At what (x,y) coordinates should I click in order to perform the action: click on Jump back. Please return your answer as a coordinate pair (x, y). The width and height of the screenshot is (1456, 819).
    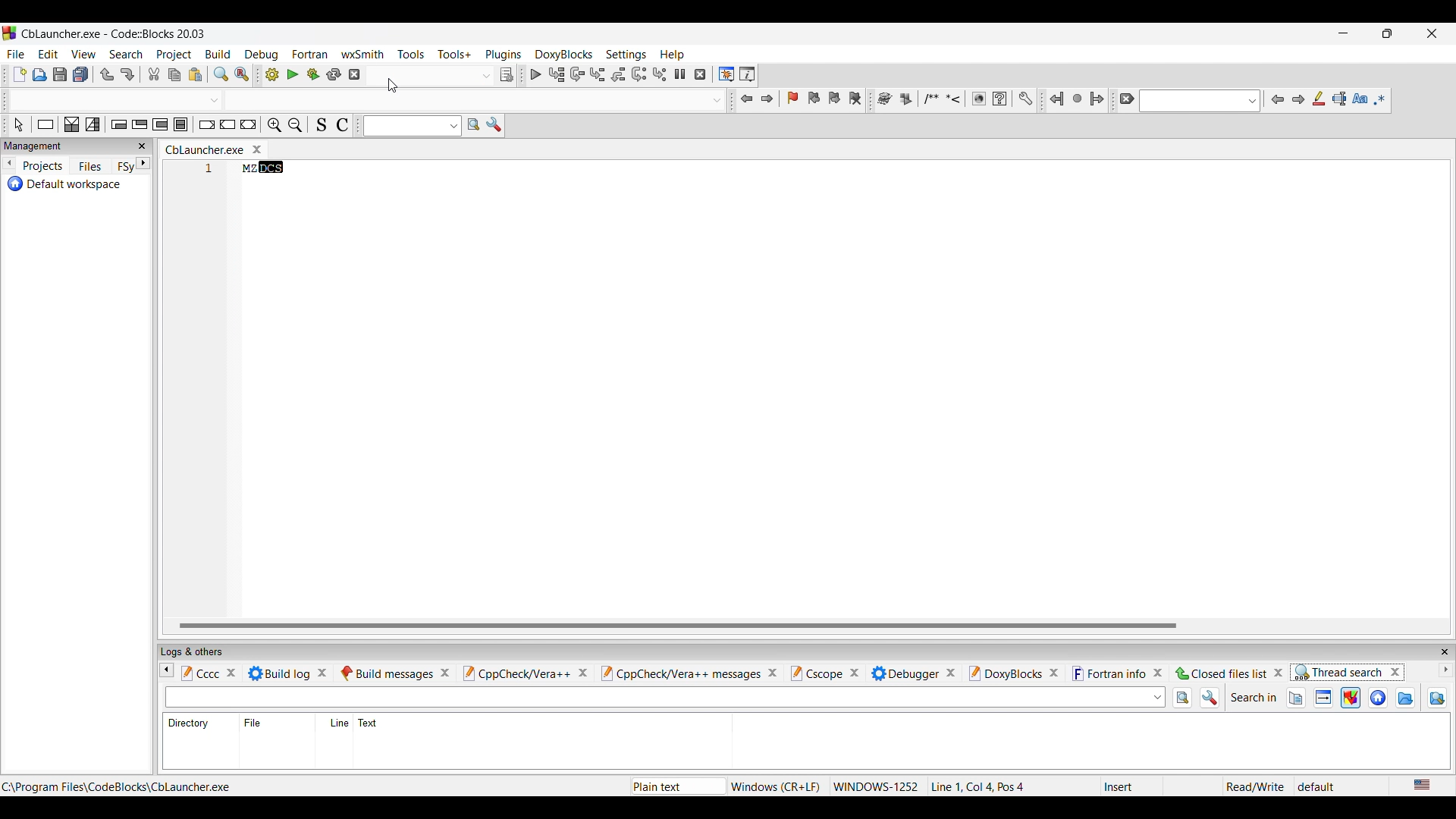
    Looking at the image, I should click on (1057, 99).